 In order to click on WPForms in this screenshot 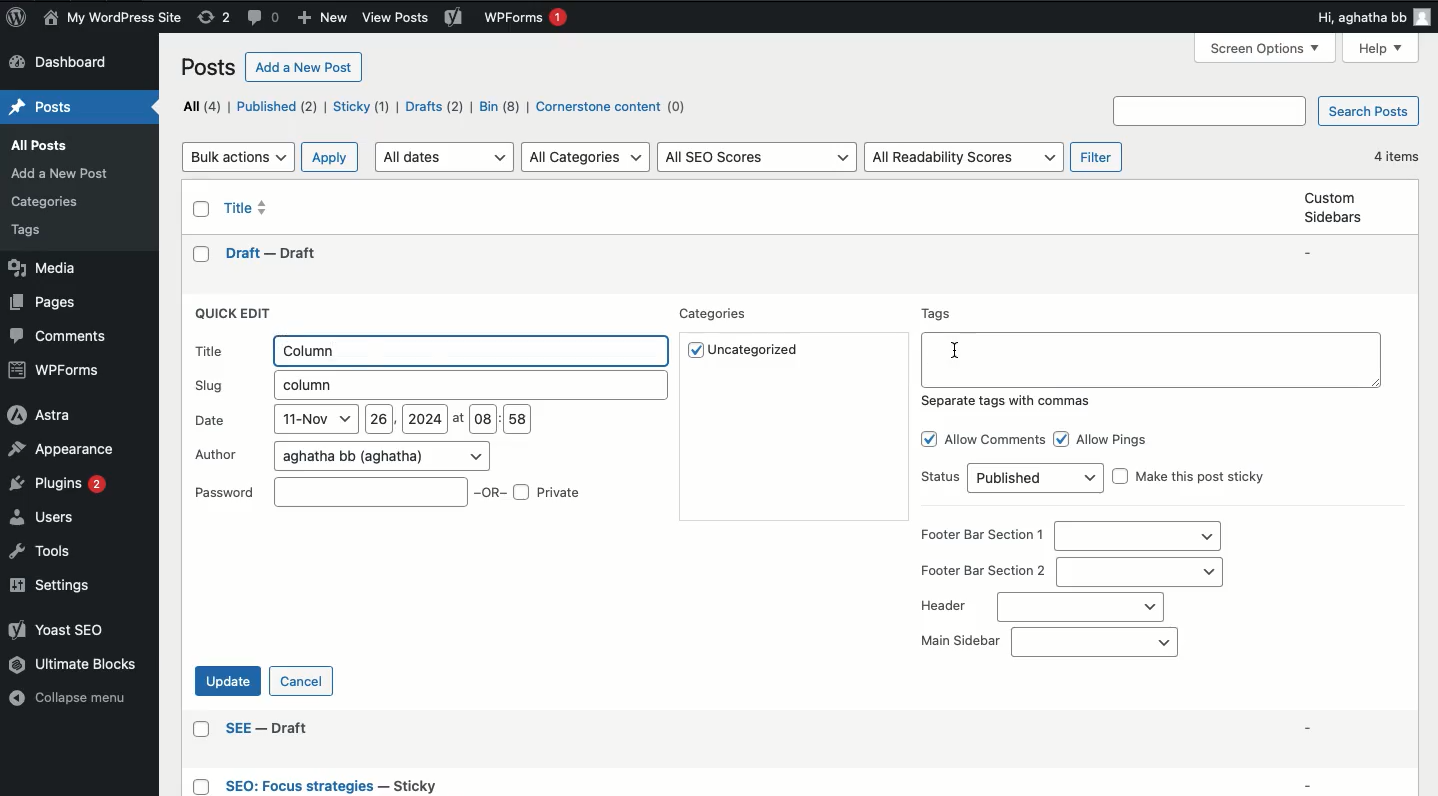, I will do `click(57, 370)`.